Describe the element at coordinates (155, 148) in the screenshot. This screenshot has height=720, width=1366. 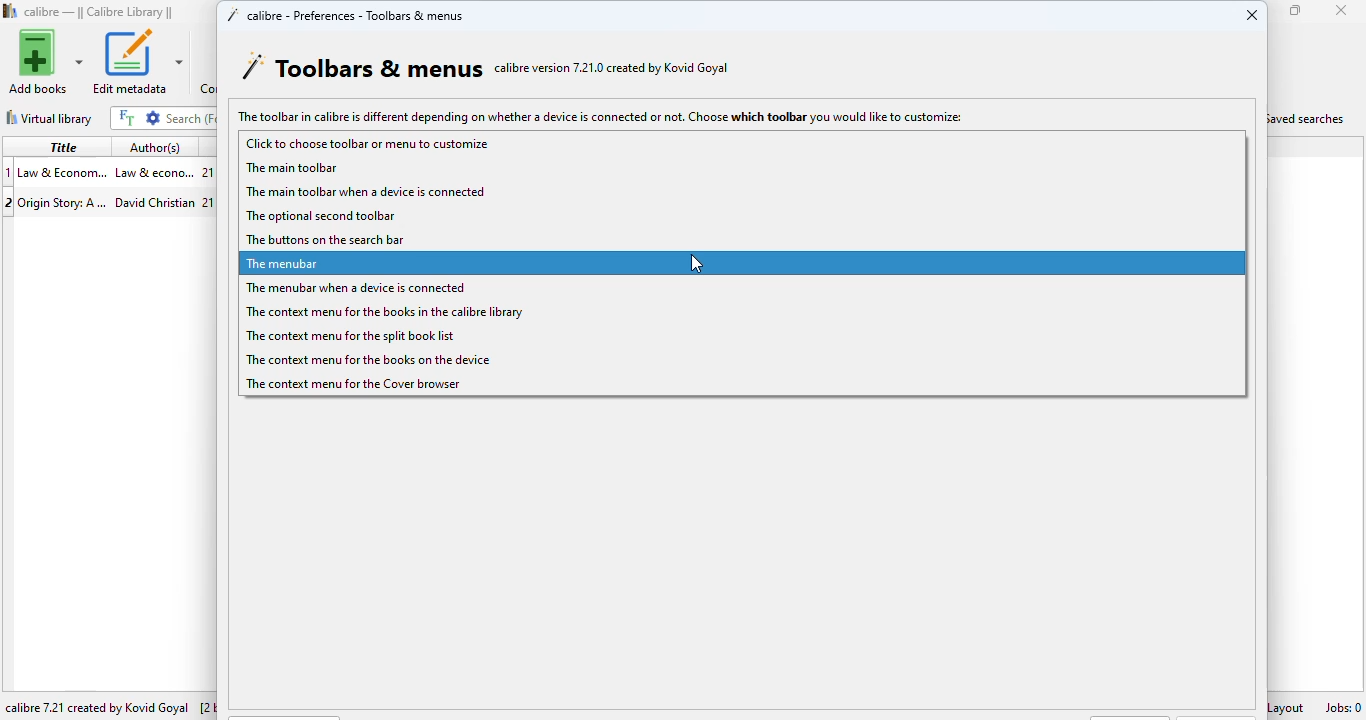
I see `author(s)` at that location.